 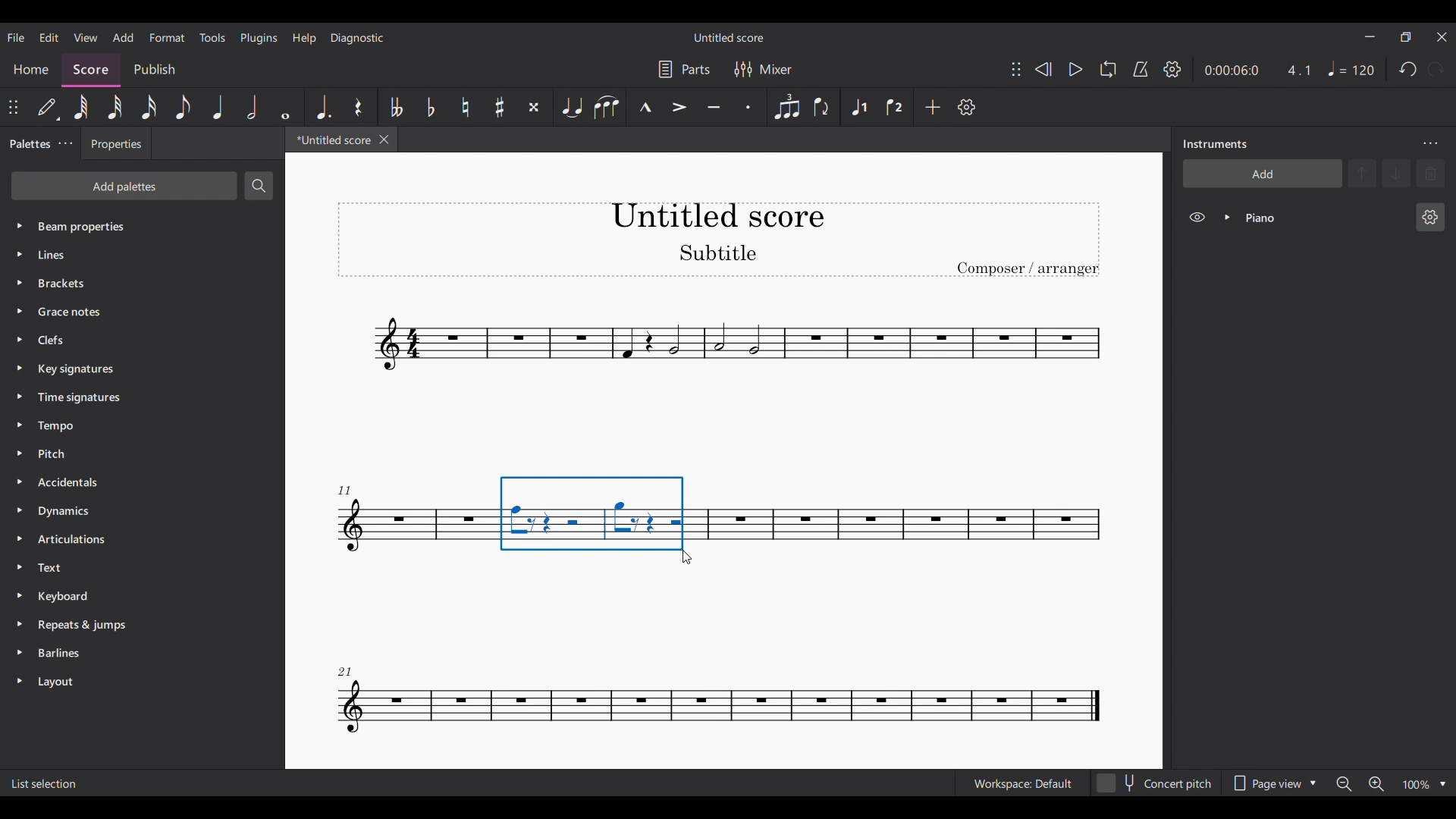 I want to click on Minimize, so click(x=1370, y=36).